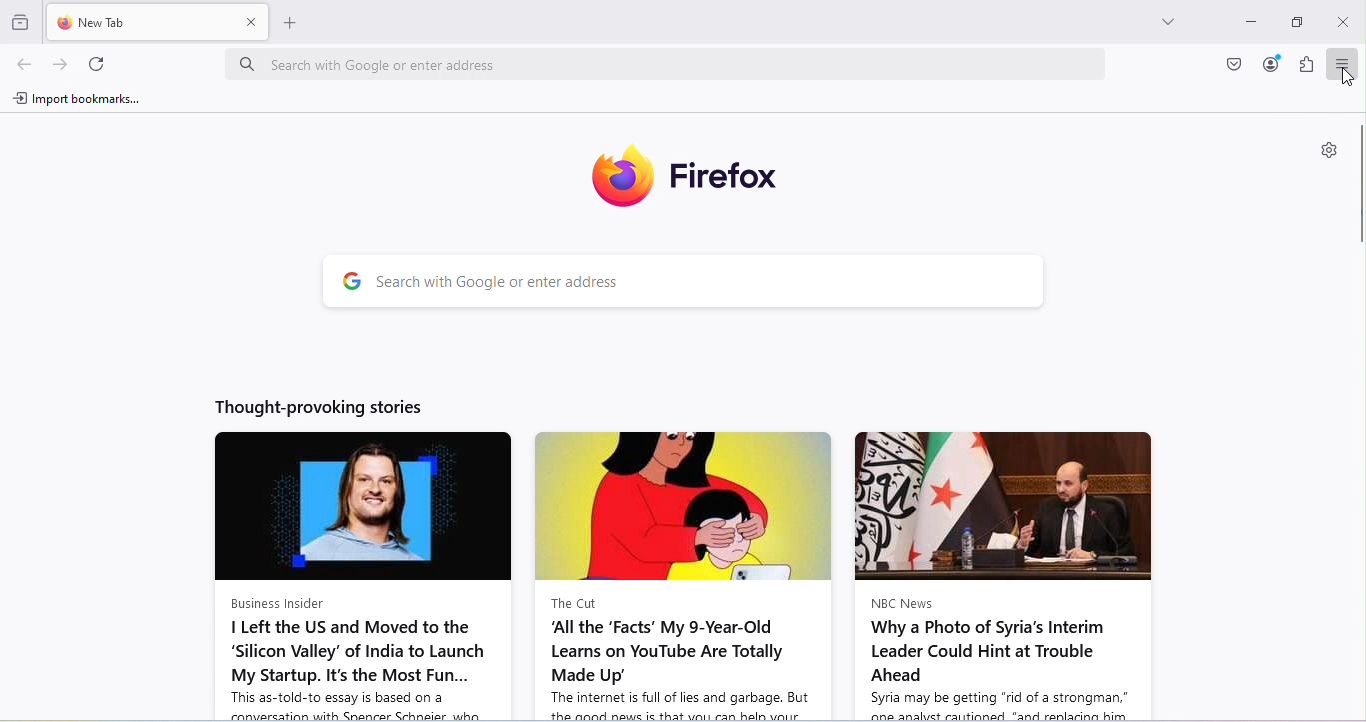 The height and width of the screenshot is (722, 1366). Describe the element at coordinates (352, 576) in the screenshot. I see `News article from business insider` at that location.